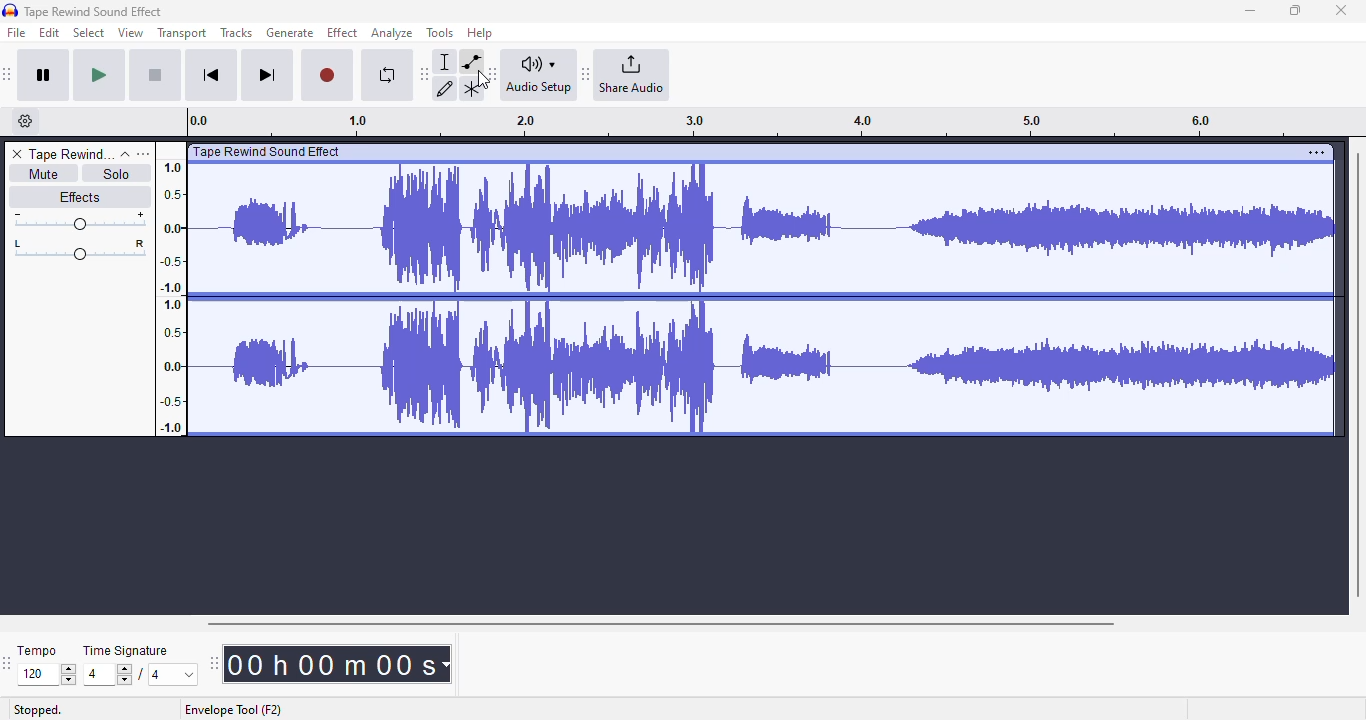  I want to click on Move audacity transport toolbar, so click(8, 74).